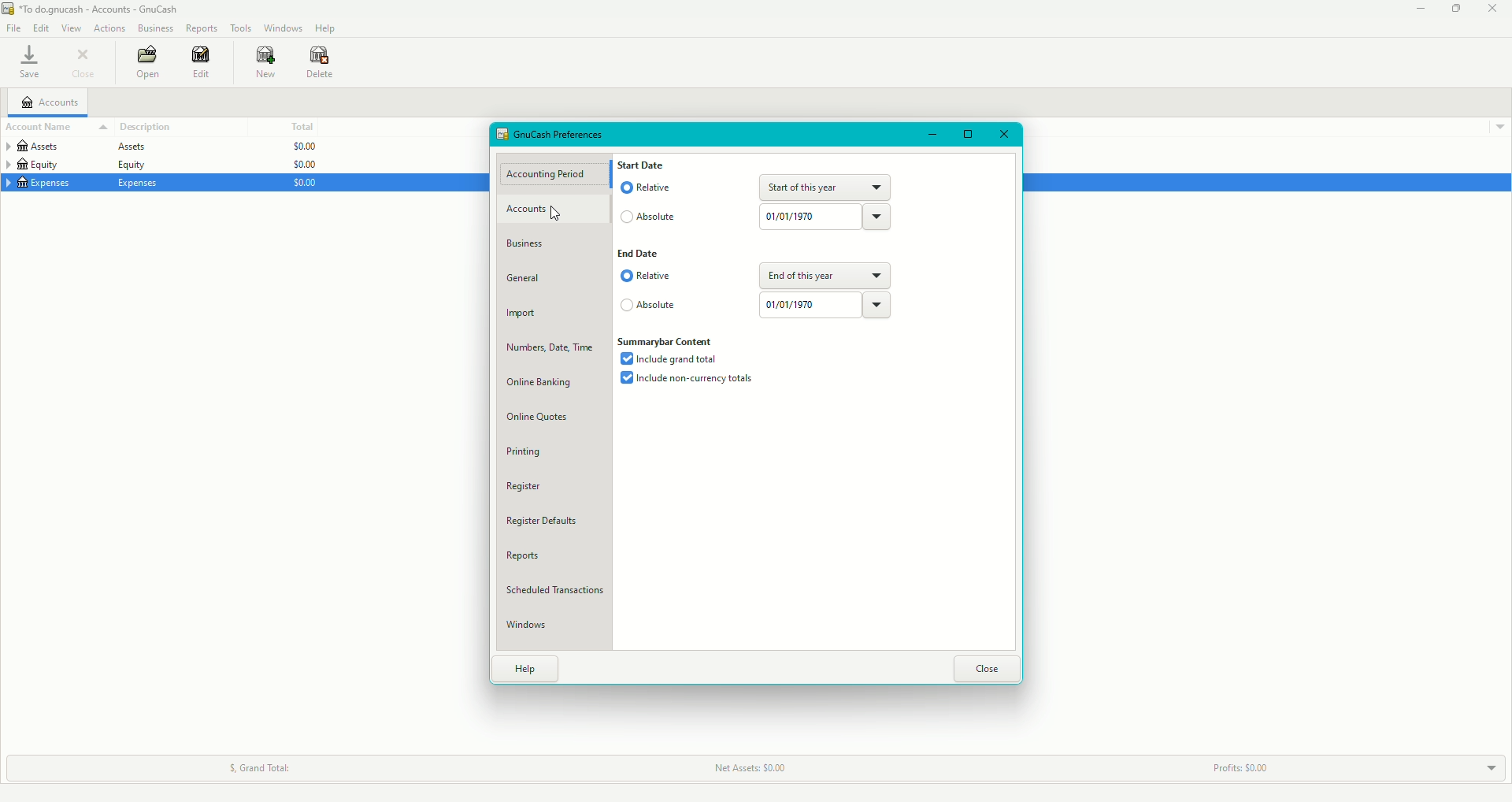  Describe the element at coordinates (934, 135) in the screenshot. I see `Minimize` at that location.